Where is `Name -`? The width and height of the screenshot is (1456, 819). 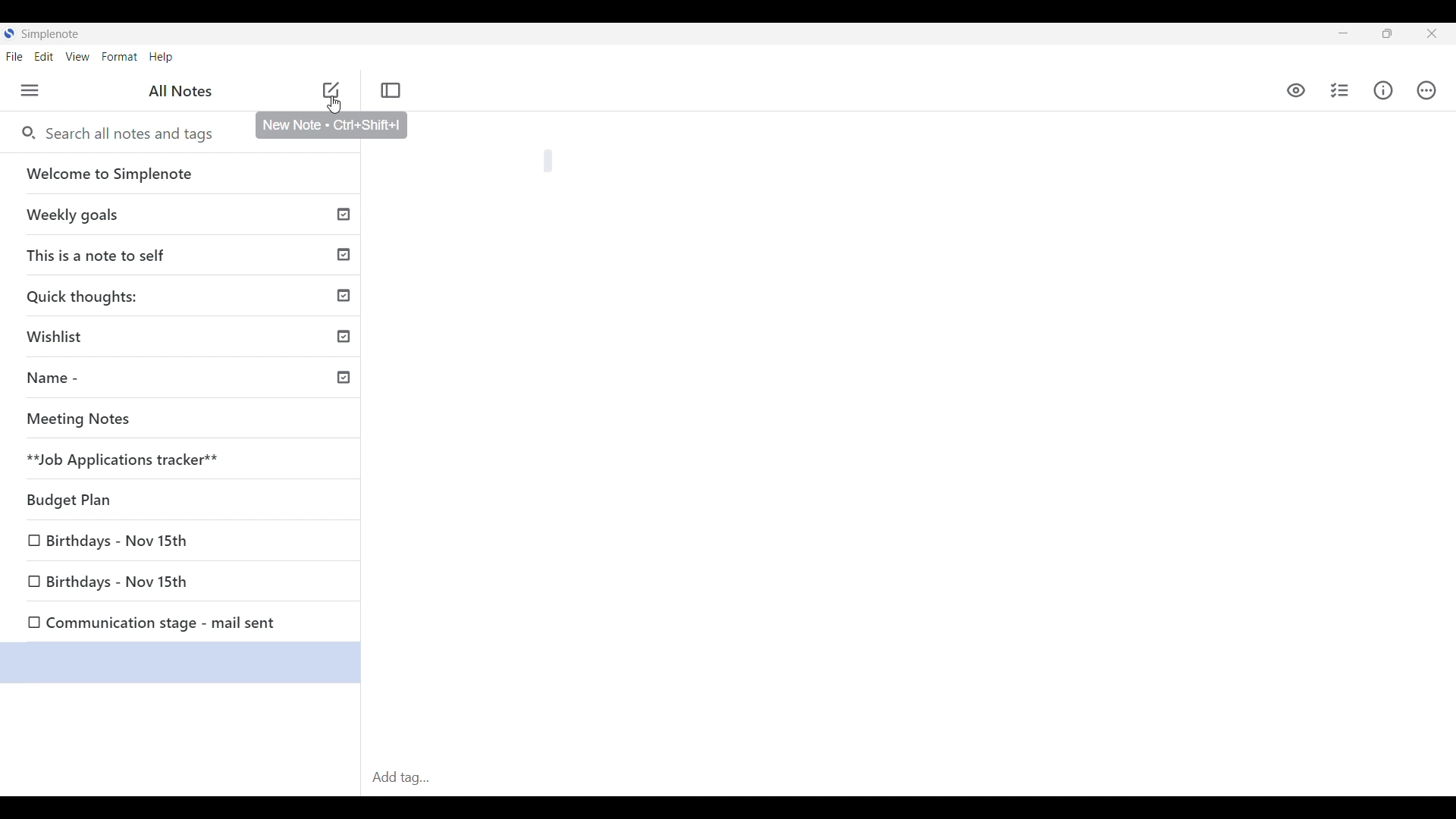
Name - is located at coordinates (187, 380).